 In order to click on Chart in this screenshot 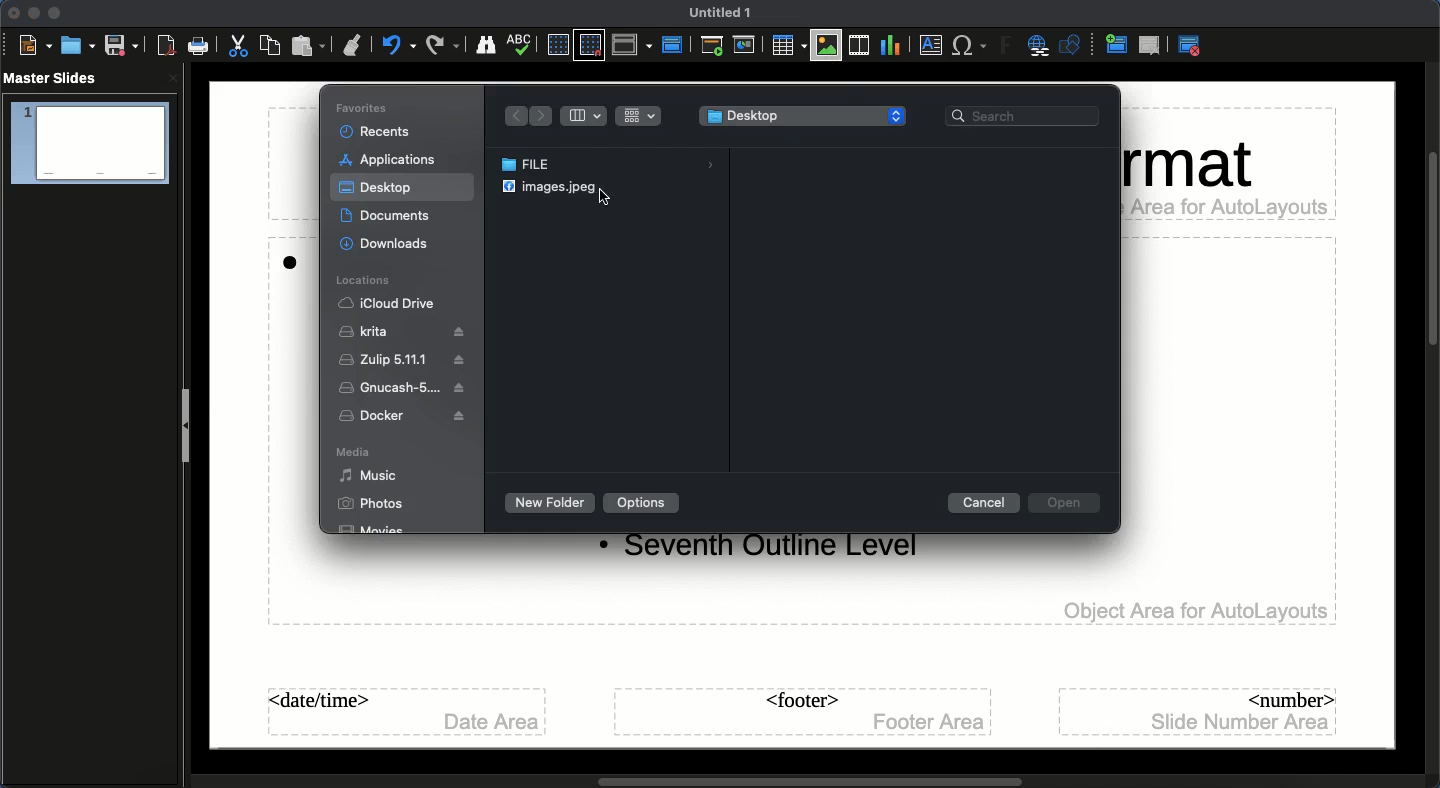, I will do `click(888, 47)`.